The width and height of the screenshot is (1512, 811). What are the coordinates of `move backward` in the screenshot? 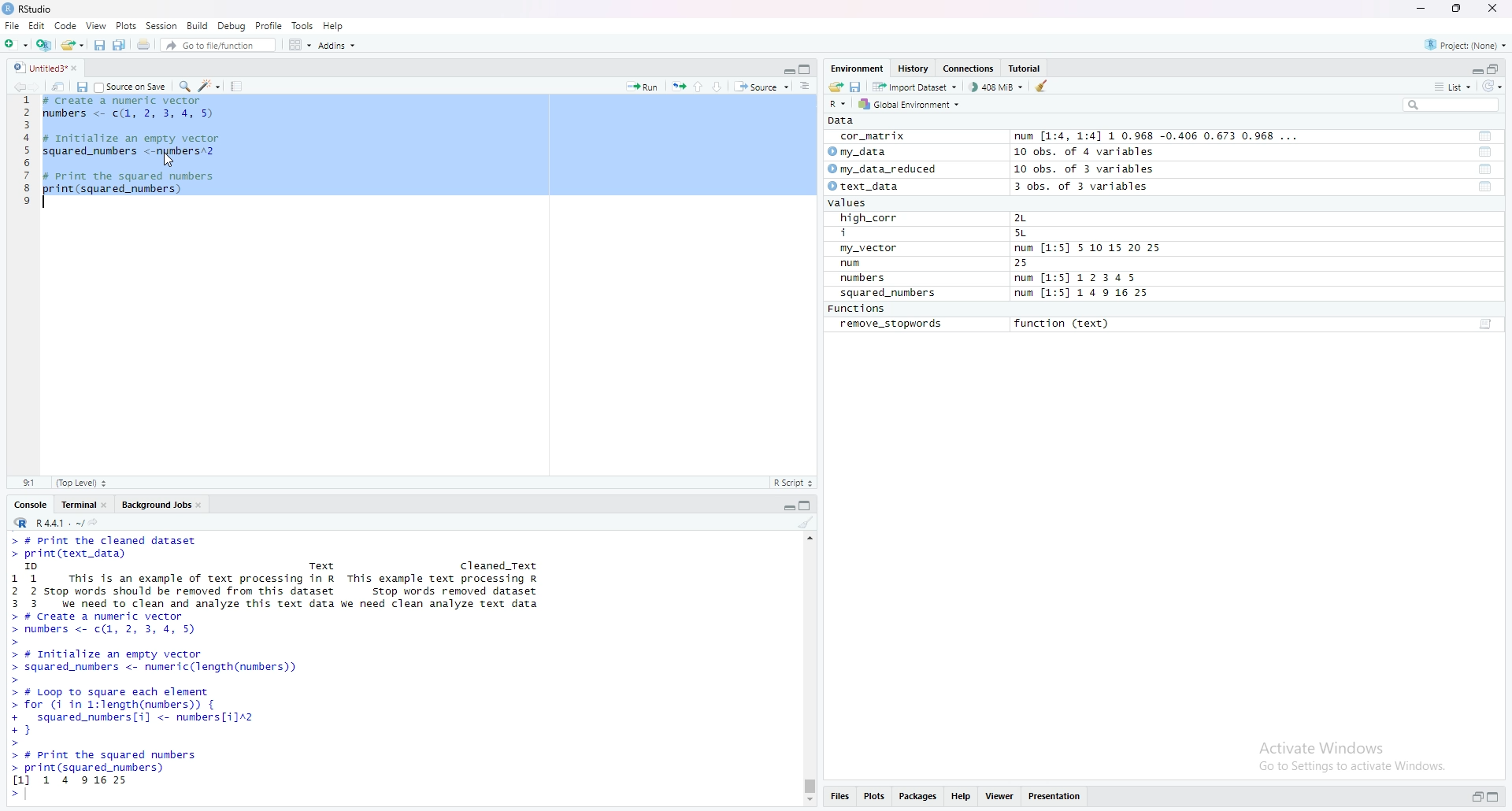 It's located at (19, 85).